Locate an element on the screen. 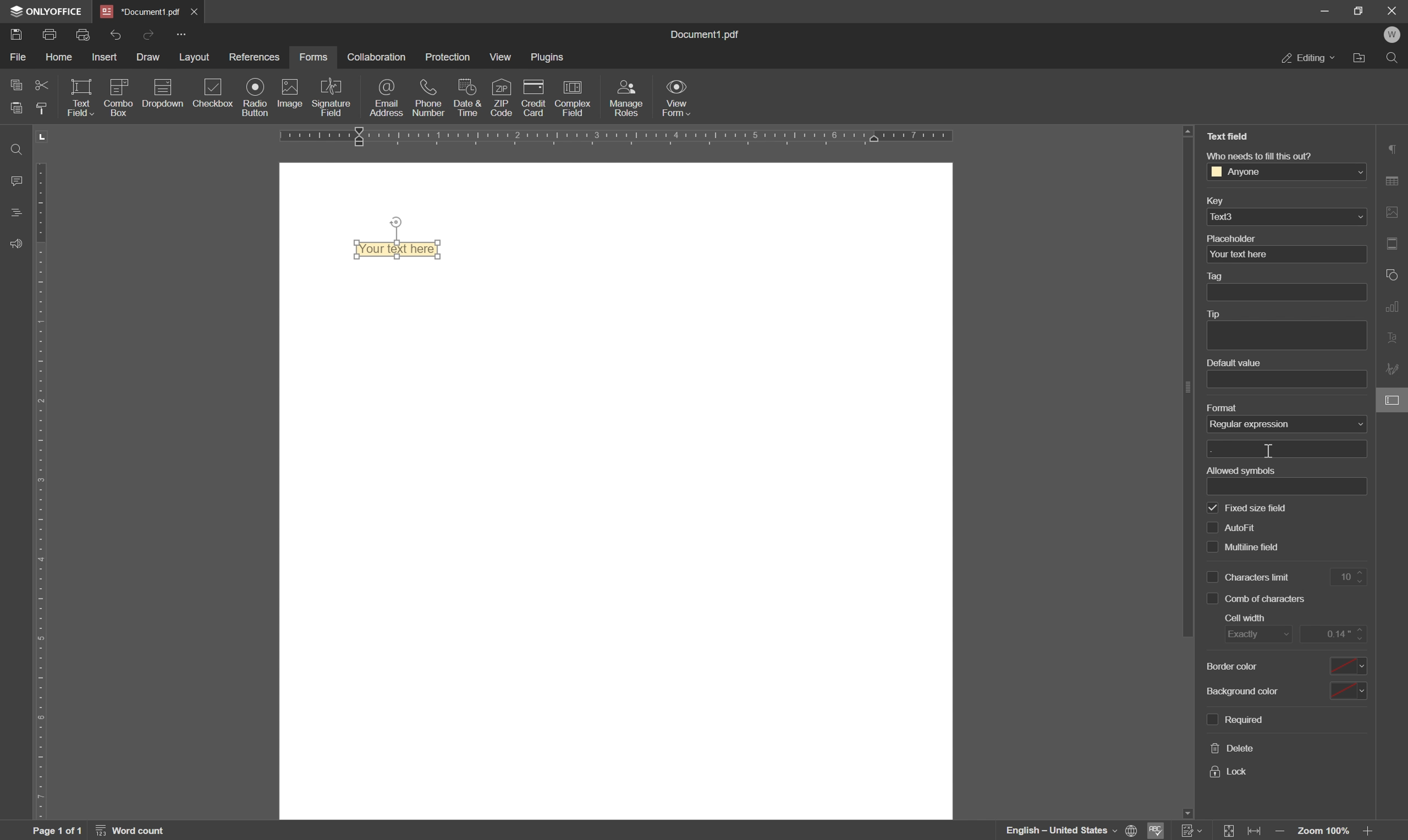 This screenshot has width=1408, height=840. scroll up is located at coordinates (1188, 131).